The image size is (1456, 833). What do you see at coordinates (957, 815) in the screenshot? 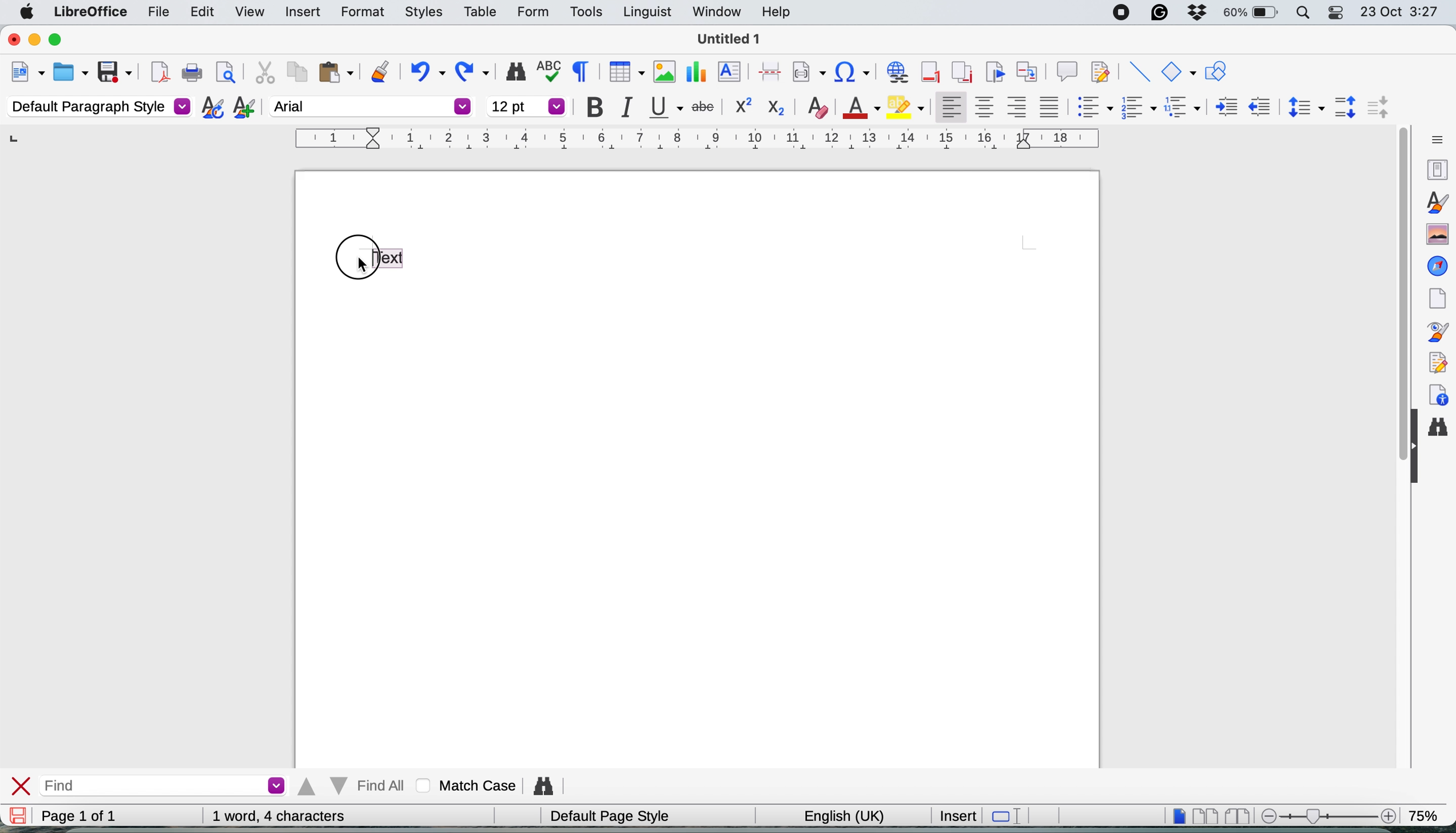
I see `insert` at bounding box center [957, 815].